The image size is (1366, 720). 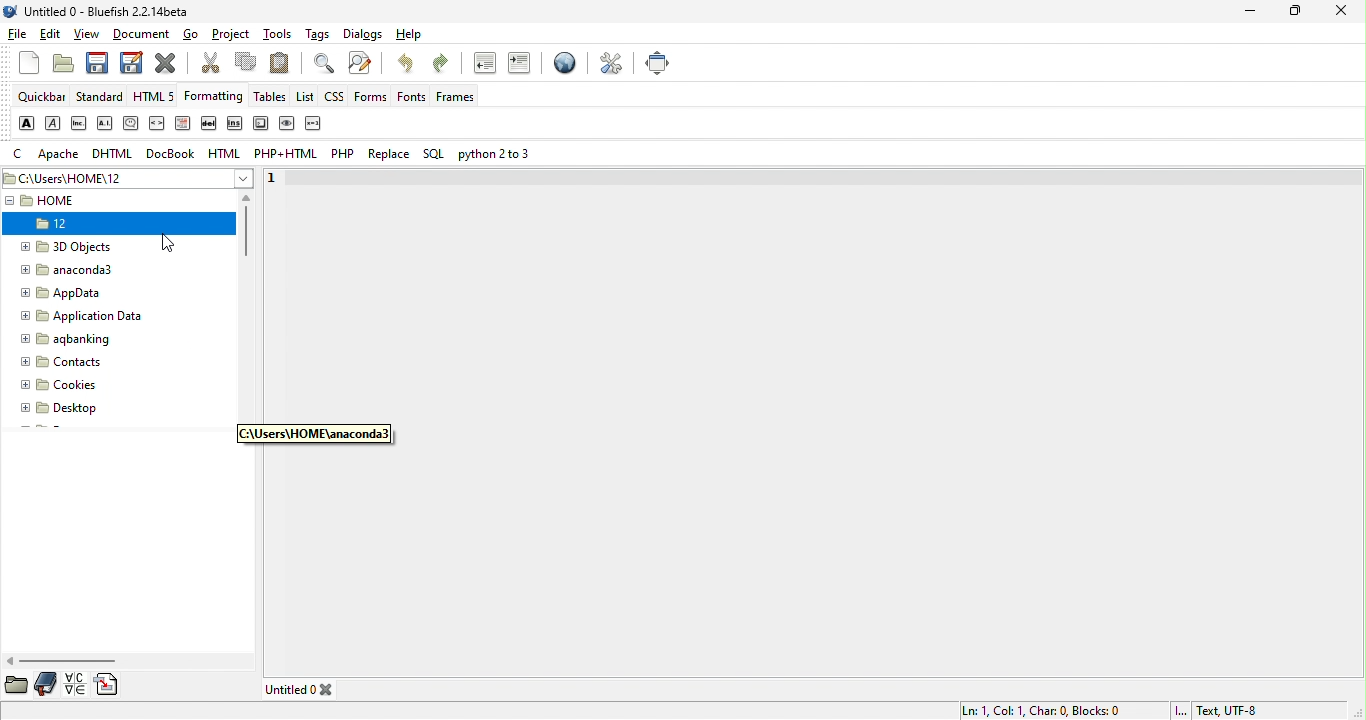 What do you see at coordinates (211, 125) in the screenshot?
I see `delete` at bounding box center [211, 125].